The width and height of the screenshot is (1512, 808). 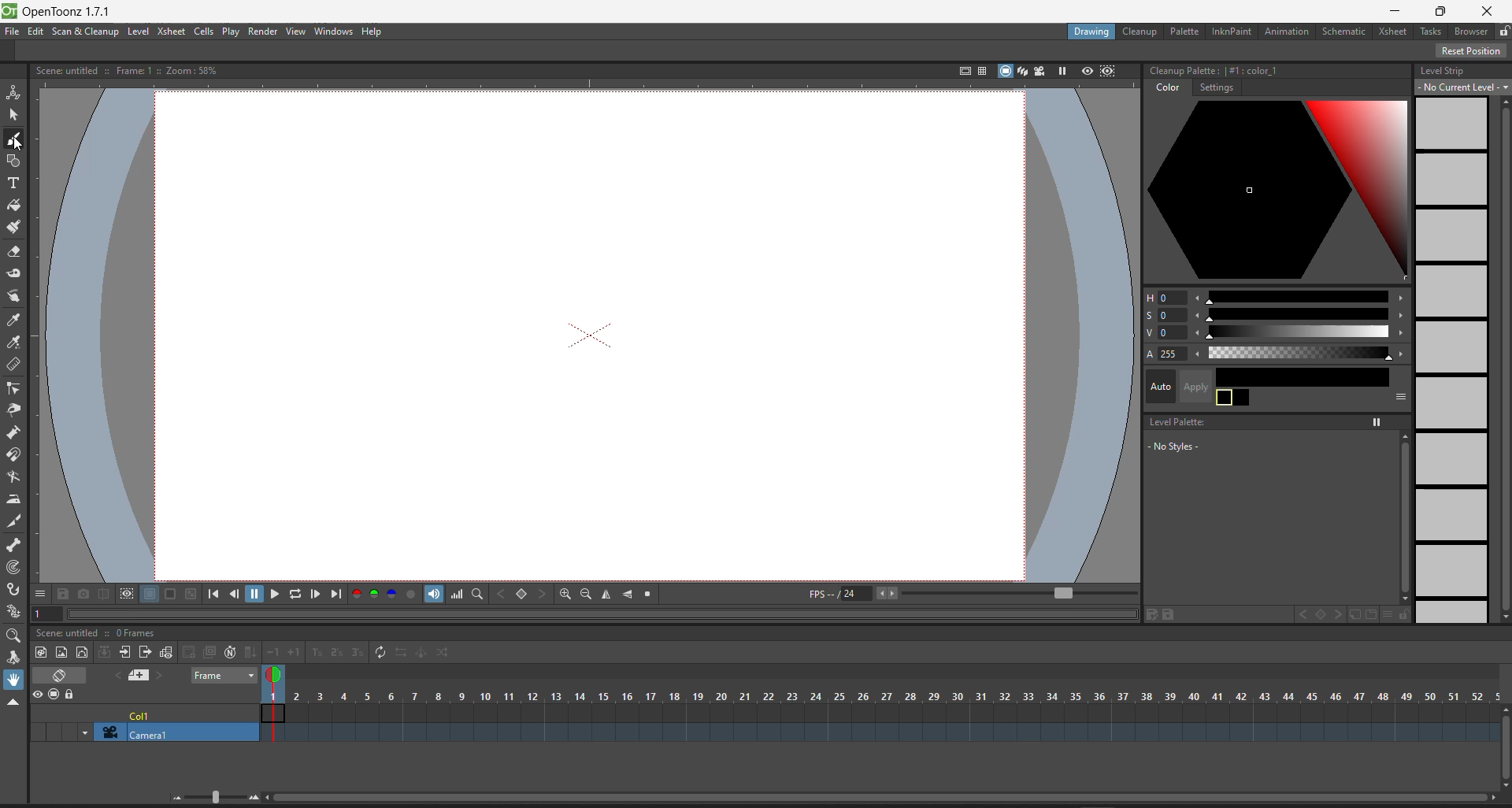 What do you see at coordinates (1317, 614) in the screenshot?
I see `set key` at bounding box center [1317, 614].